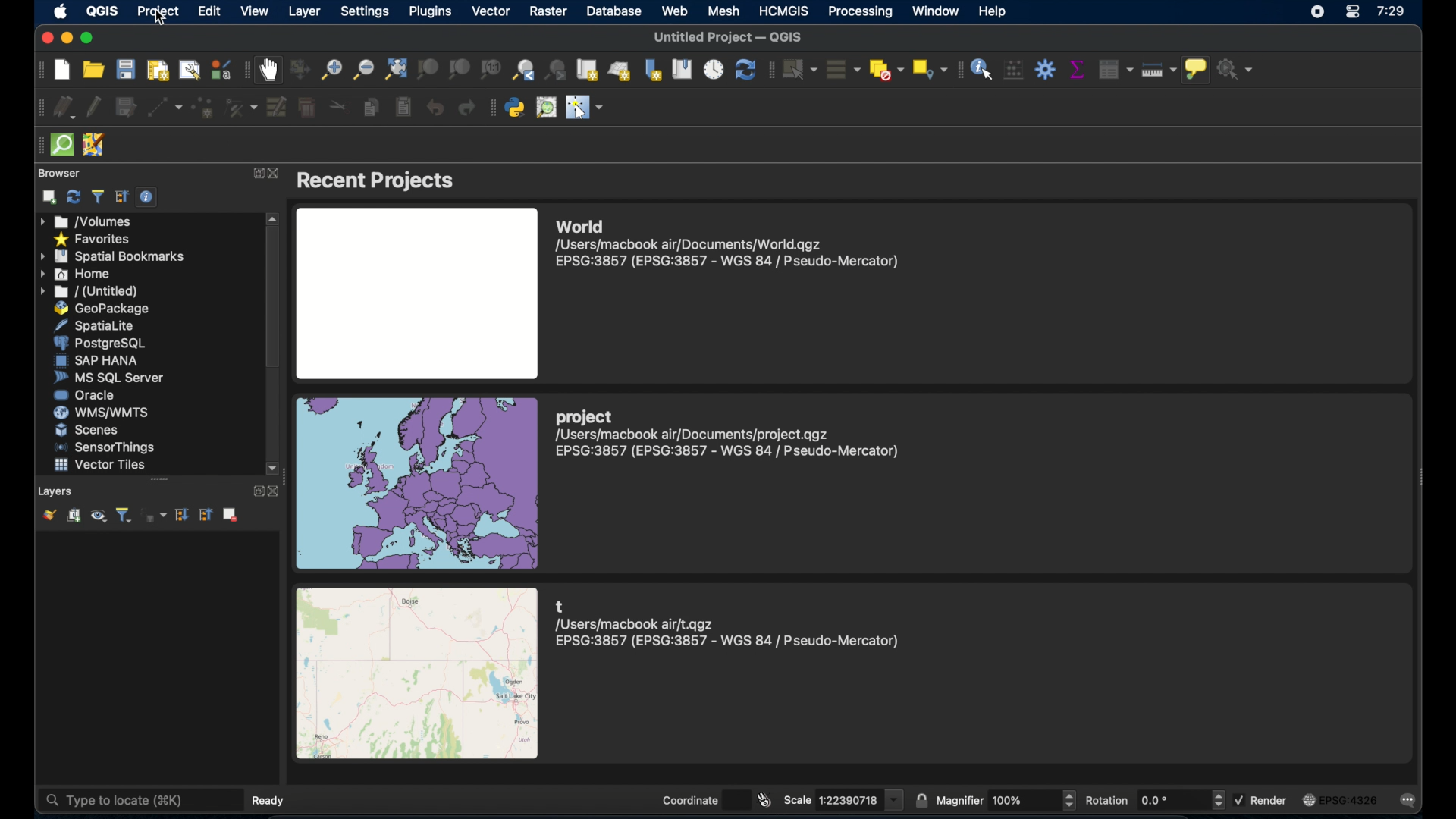  What do you see at coordinates (1013, 71) in the screenshot?
I see `open field calculator` at bounding box center [1013, 71].